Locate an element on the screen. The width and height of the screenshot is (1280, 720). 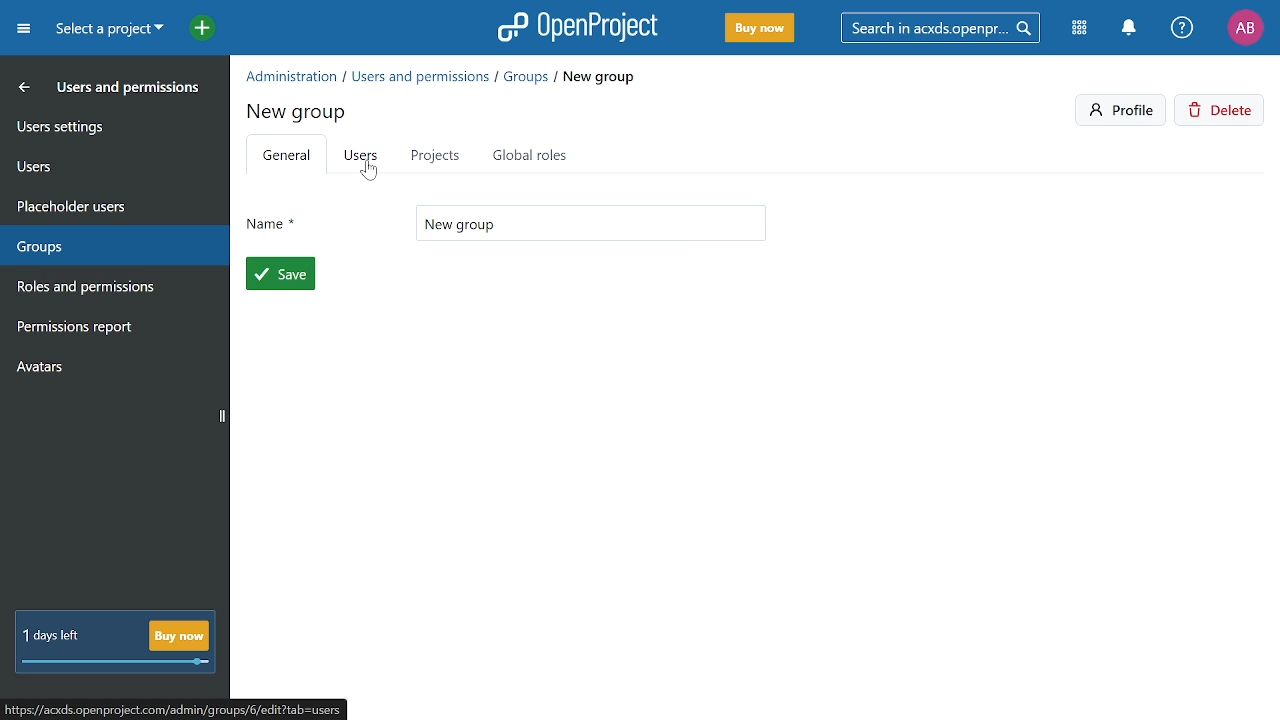
Groups is located at coordinates (109, 242).